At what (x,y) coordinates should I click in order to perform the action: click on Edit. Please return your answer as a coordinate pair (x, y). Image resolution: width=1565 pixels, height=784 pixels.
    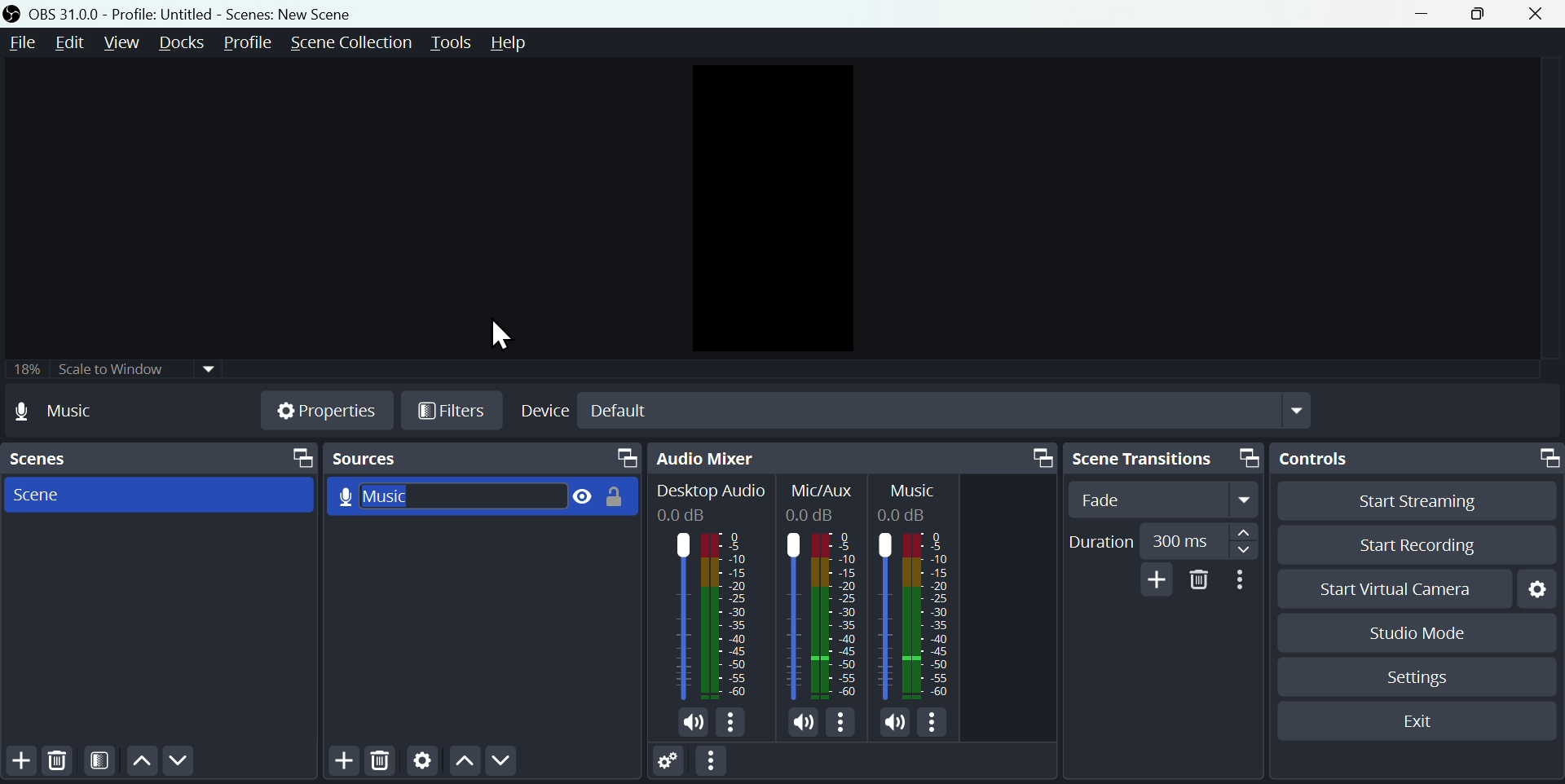
    Looking at the image, I should click on (73, 41).